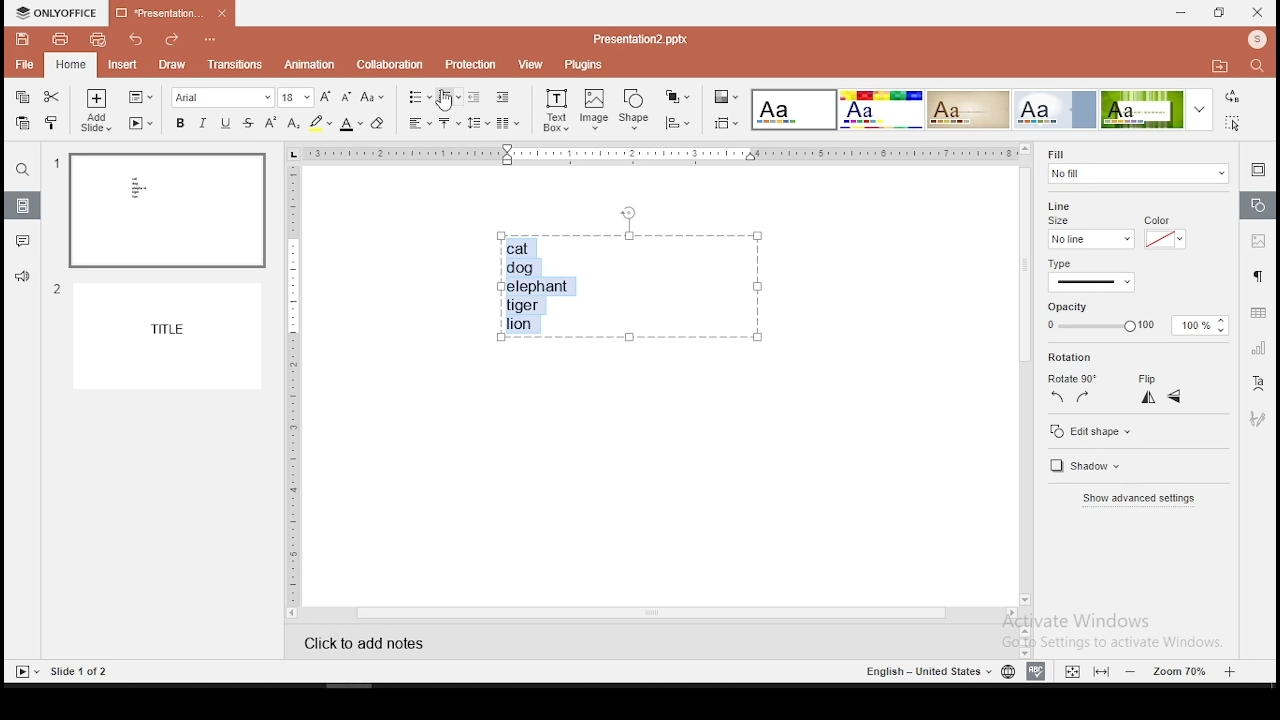  Describe the element at coordinates (724, 96) in the screenshot. I see `change color theme` at that location.